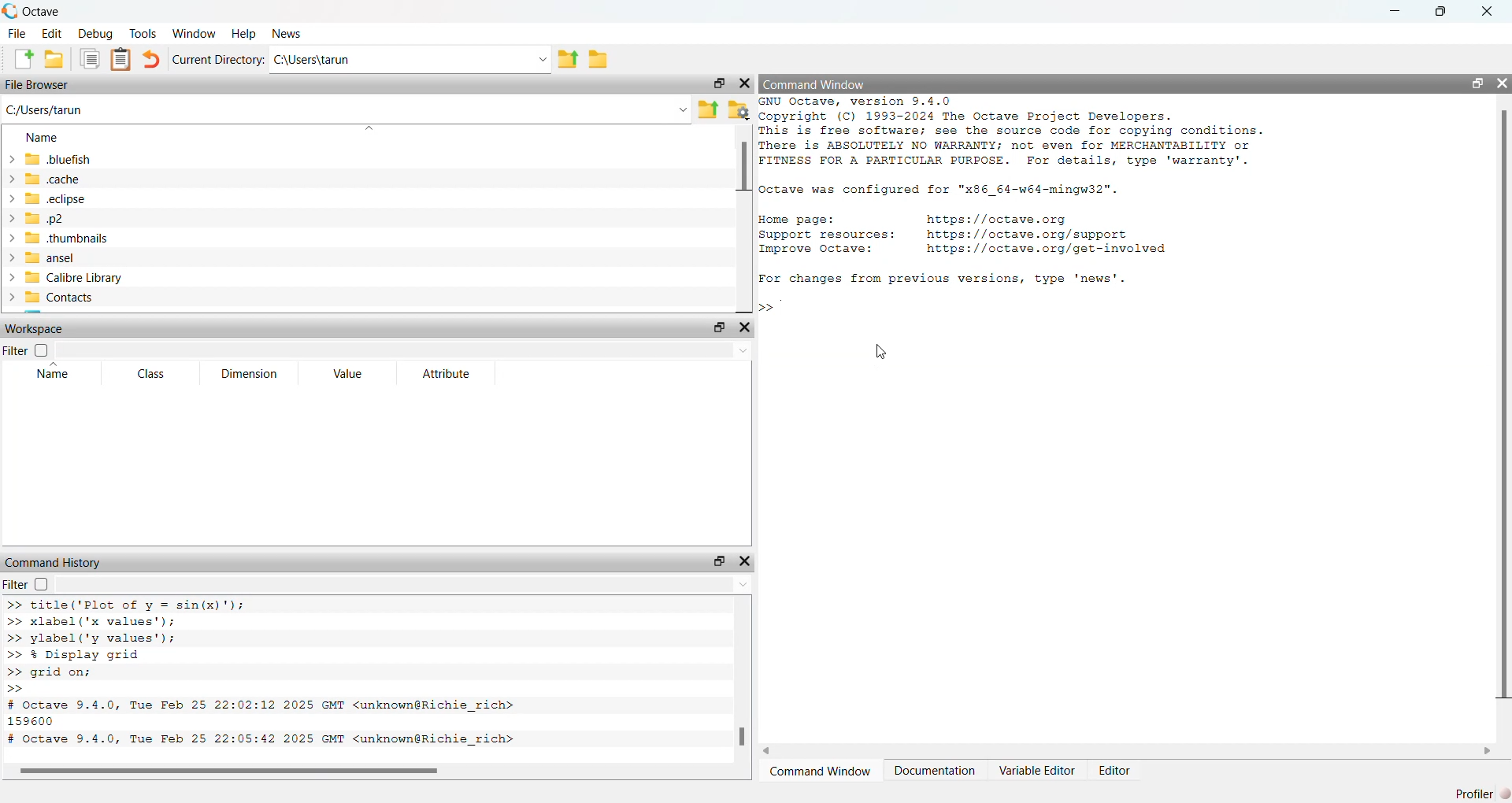 The width and height of the screenshot is (1512, 803). What do you see at coordinates (1487, 751) in the screenshot?
I see `scroll right` at bounding box center [1487, 751].